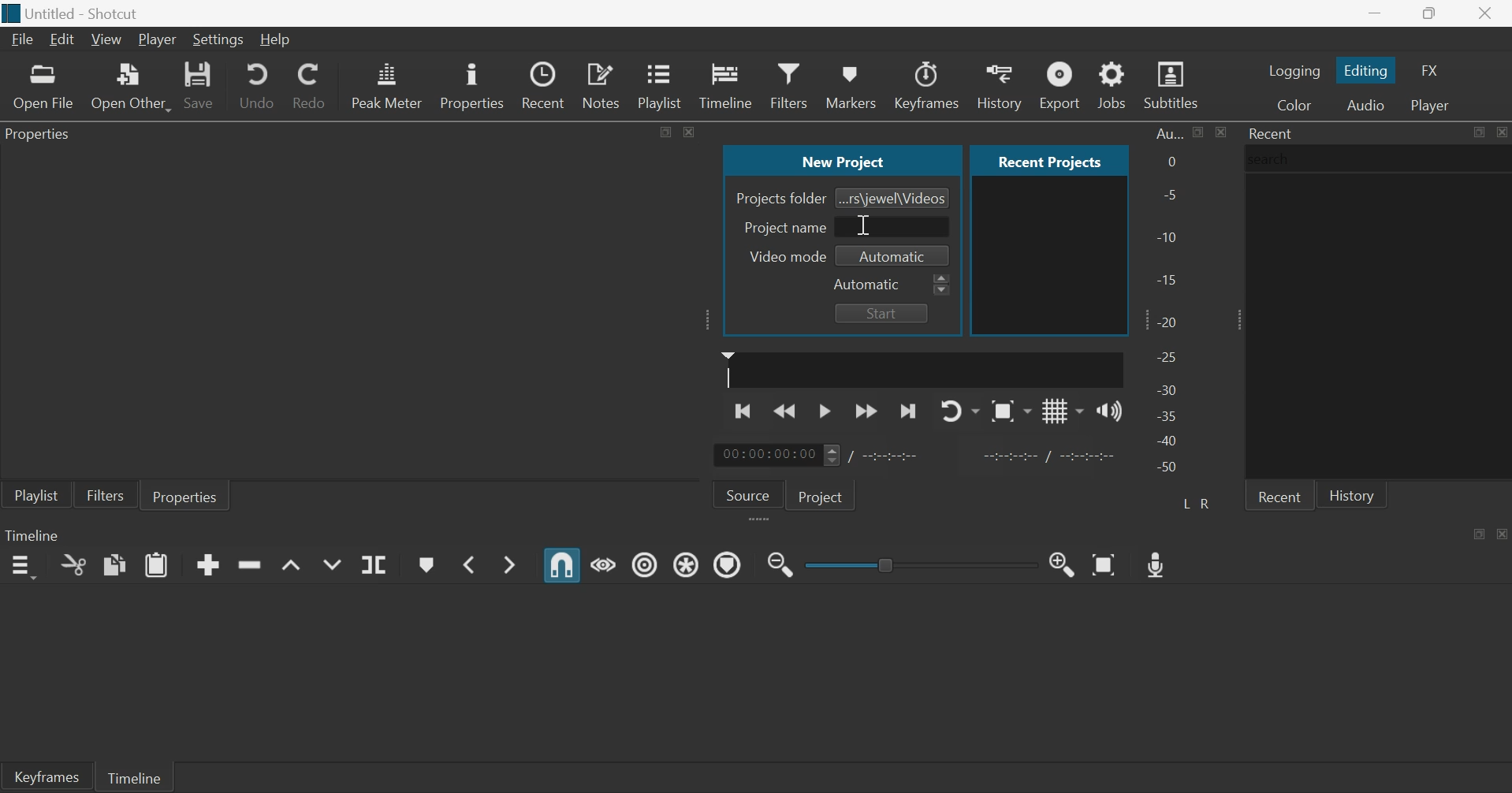 This screenshot has width=1512, height=793. Describe the element at coordinates (1272, 133) in the screenshot. I see `Recent` at that location.